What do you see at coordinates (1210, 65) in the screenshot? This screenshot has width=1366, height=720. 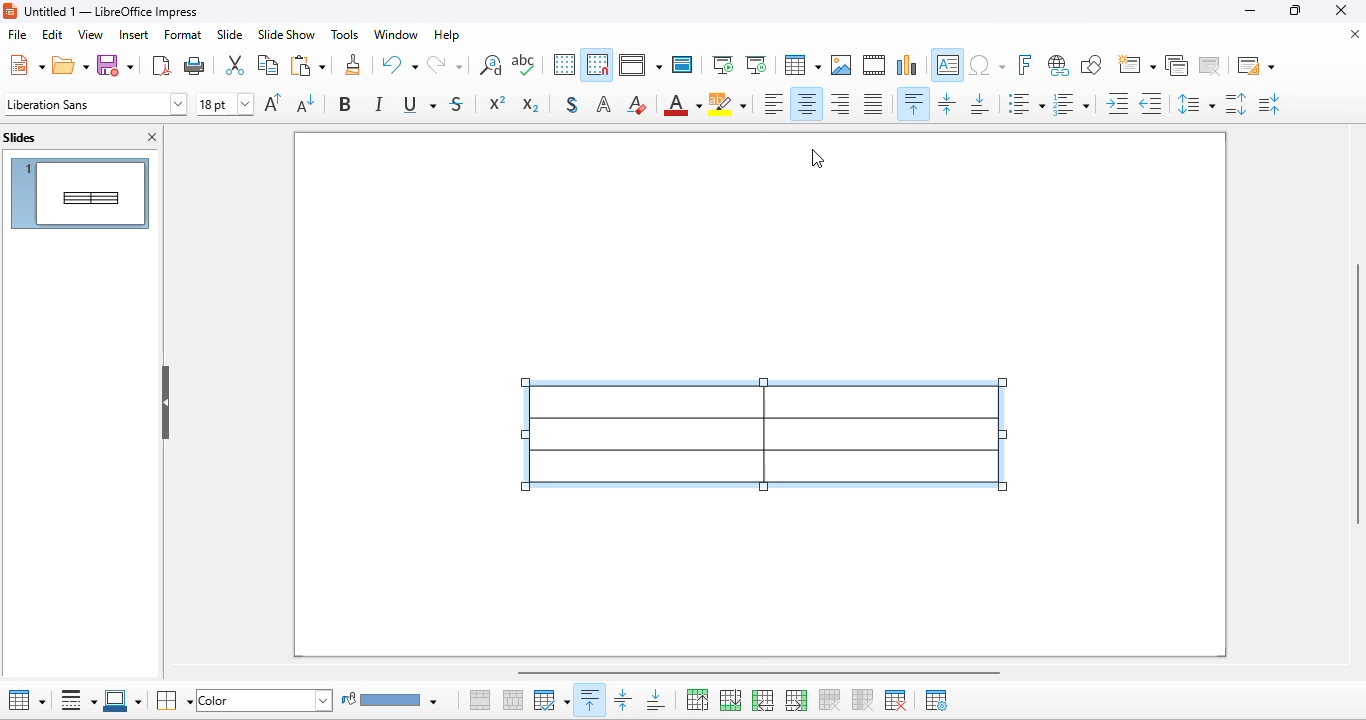 I see `delete slide` at bounding box center [1210, 65].